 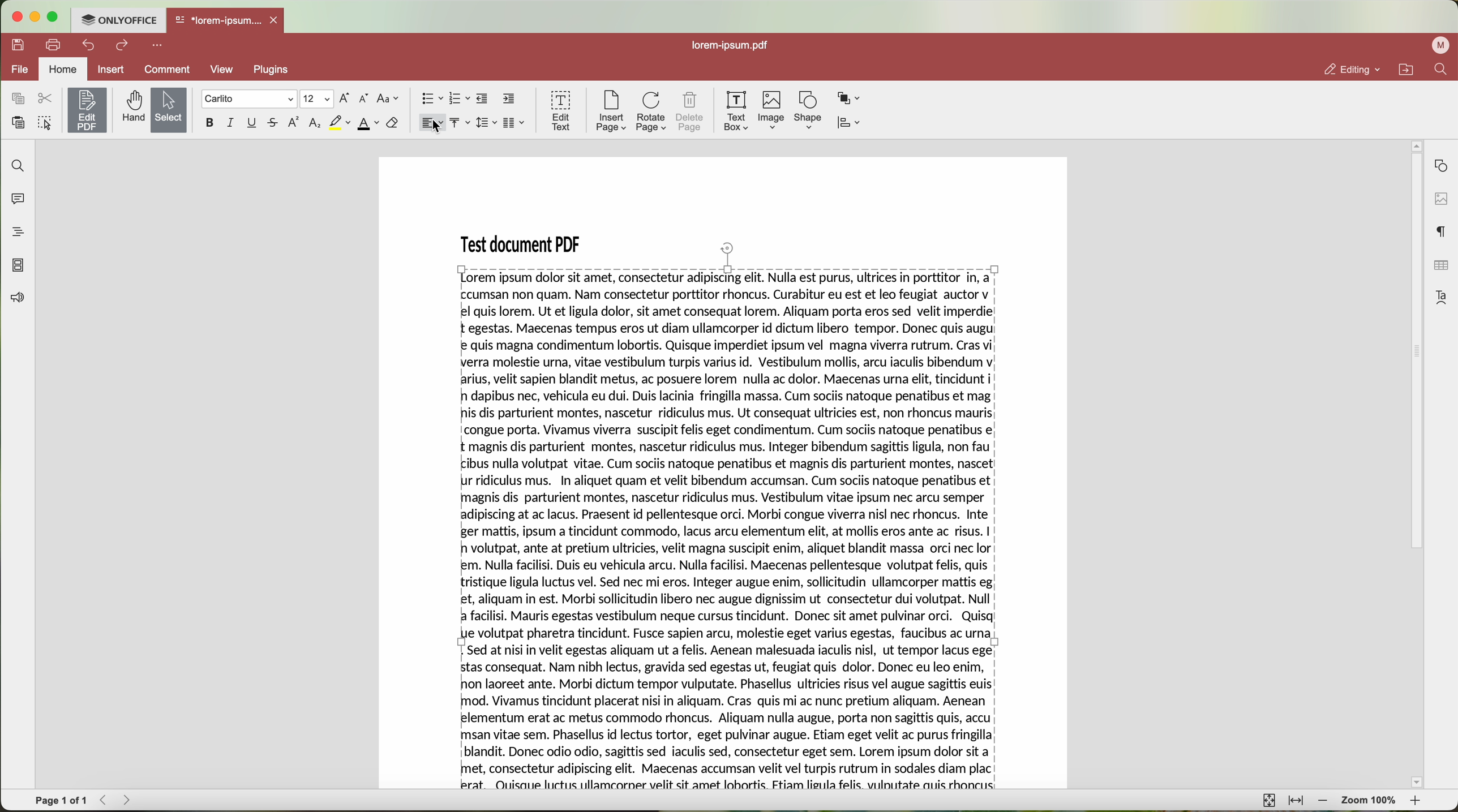 What do you see at coordinates (56, 45) in the screenshot?
I see `print` at bounding box center [56, 45].